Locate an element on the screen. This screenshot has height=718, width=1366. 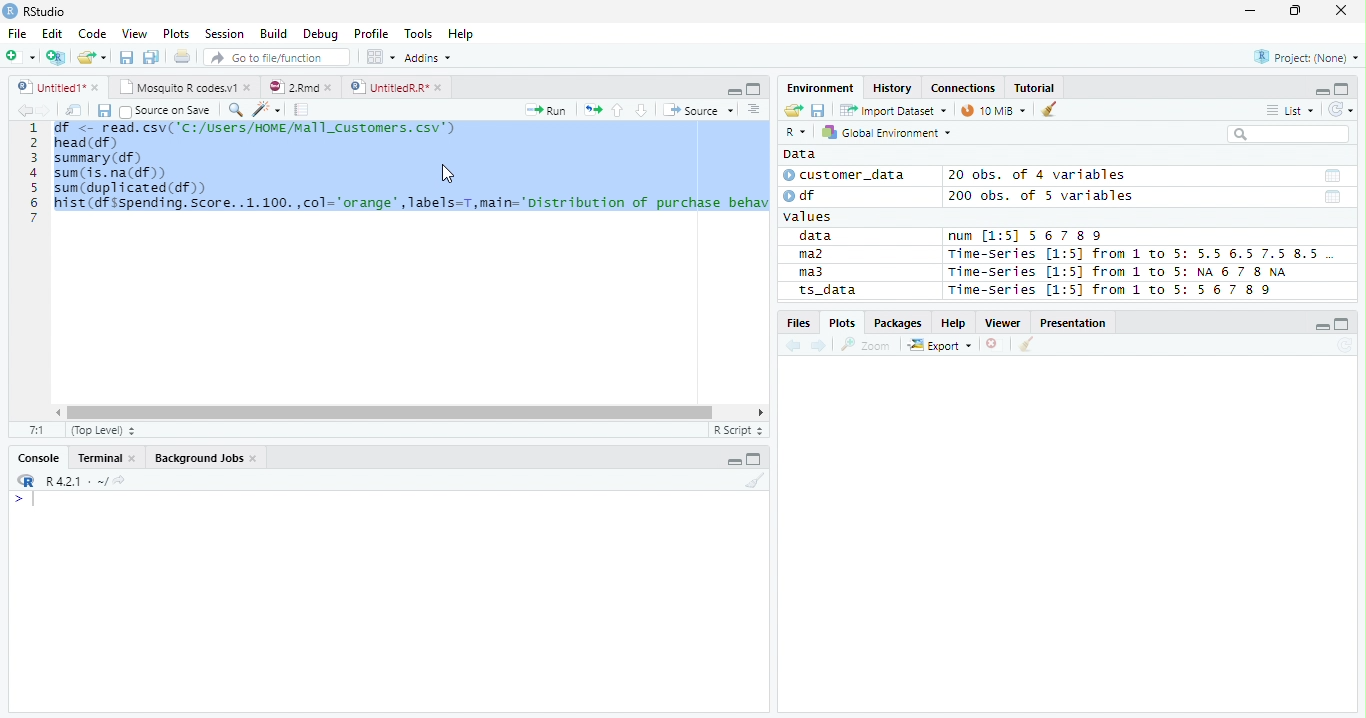
Date is located at coordinates (1331, 176).